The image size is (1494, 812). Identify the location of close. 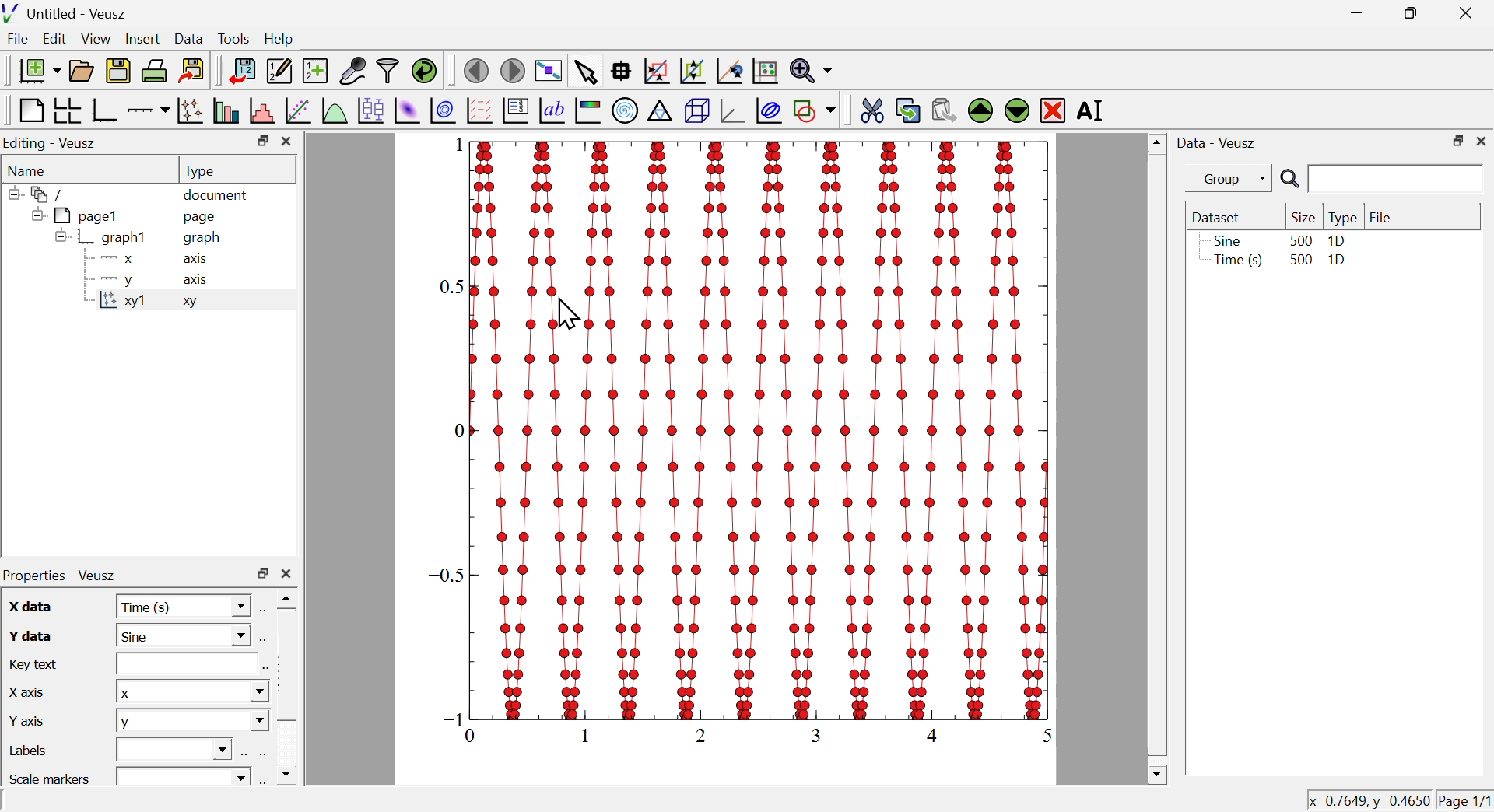
(288, 142).